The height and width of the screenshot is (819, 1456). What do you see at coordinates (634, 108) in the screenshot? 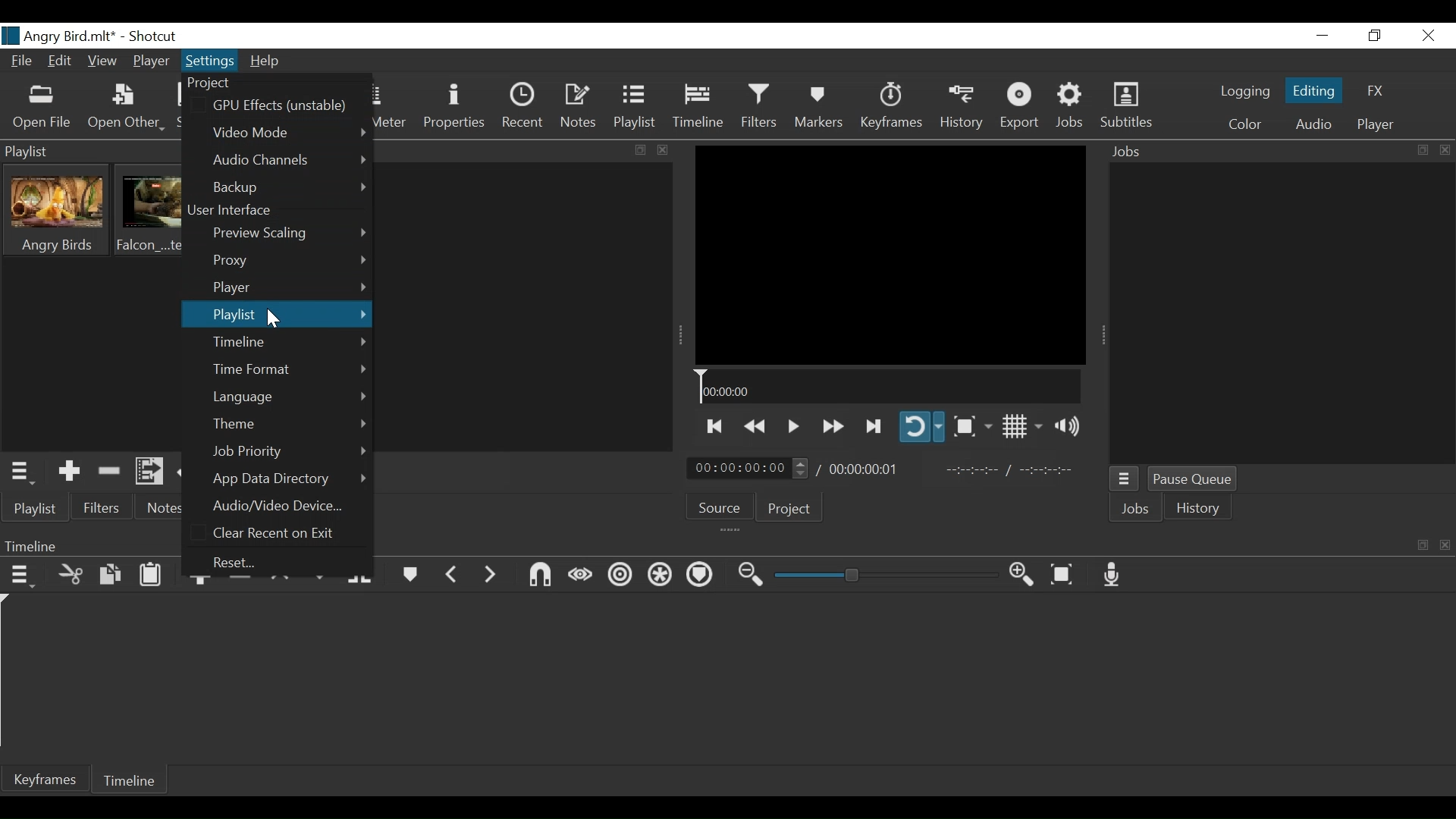
I see `Playlist` at bounding box center [634, 108].